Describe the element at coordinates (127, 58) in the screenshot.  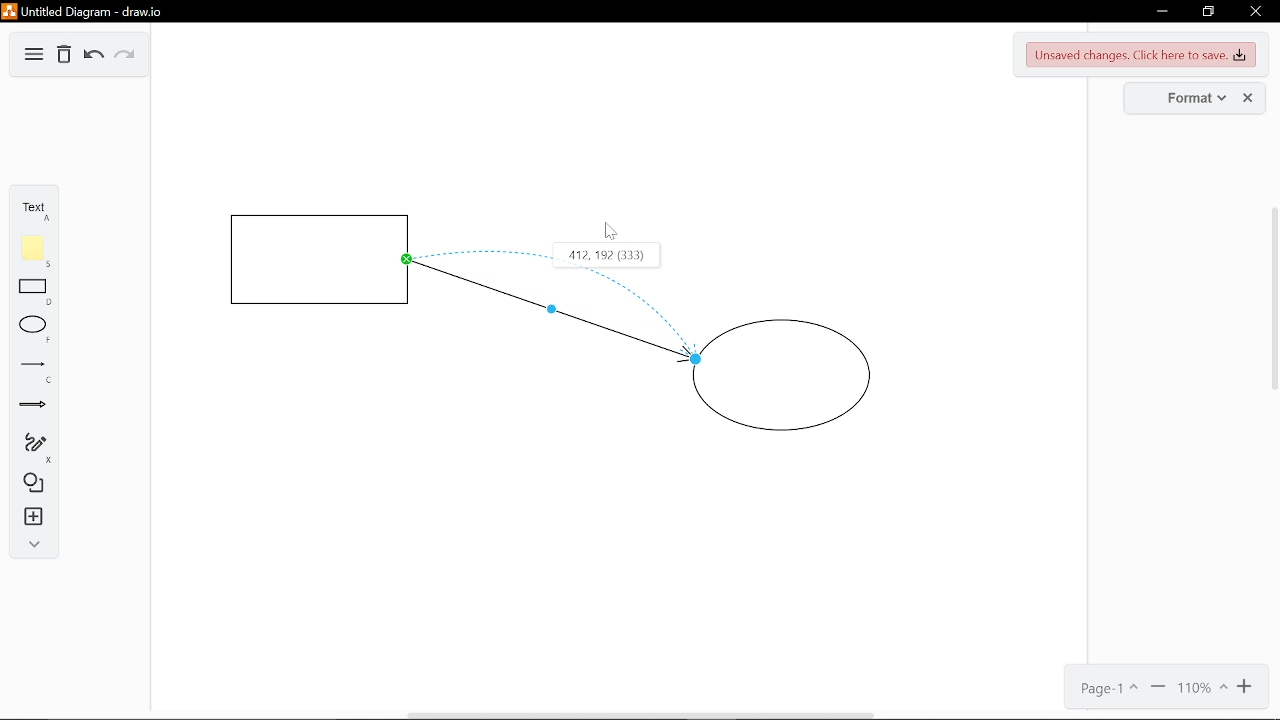
I see `Redo` at that location.